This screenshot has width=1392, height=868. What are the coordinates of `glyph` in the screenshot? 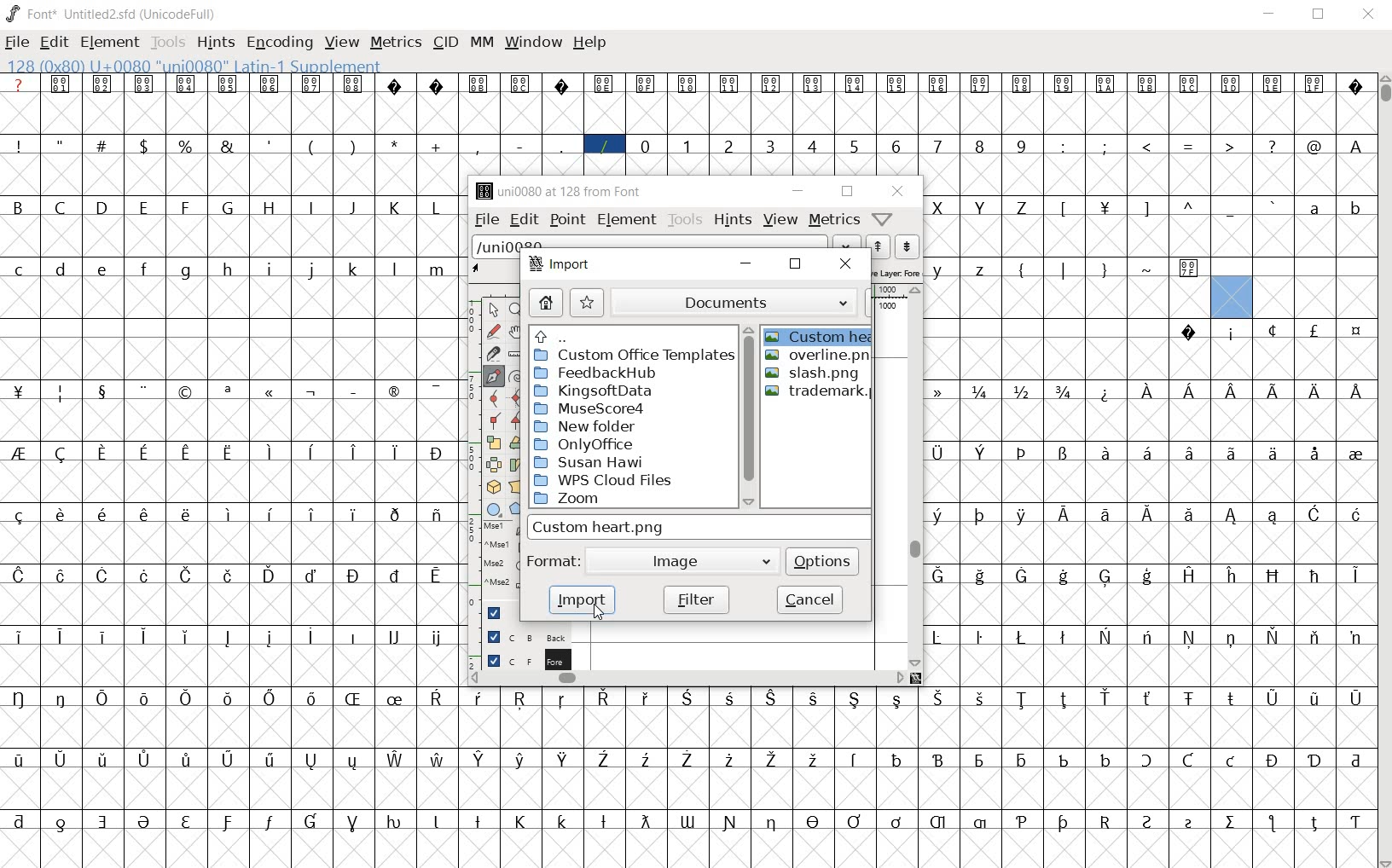 It's located at (1314, 701).